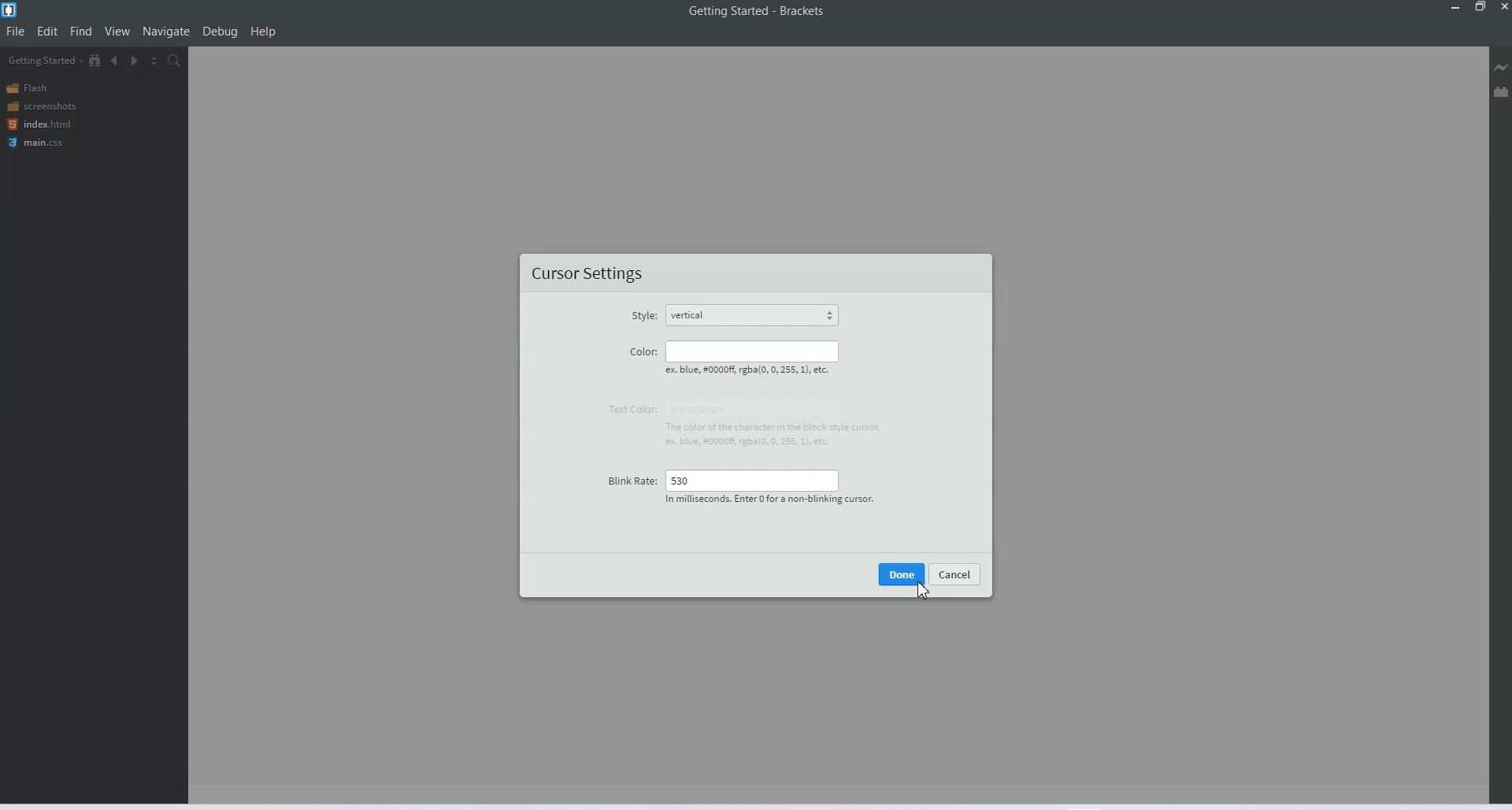 The width and height of the screenshot is (1512, 810). What do you see at coordinates (175, 61) in the screenshot?
I see `Find in Files` at bounding box center [175, 61].